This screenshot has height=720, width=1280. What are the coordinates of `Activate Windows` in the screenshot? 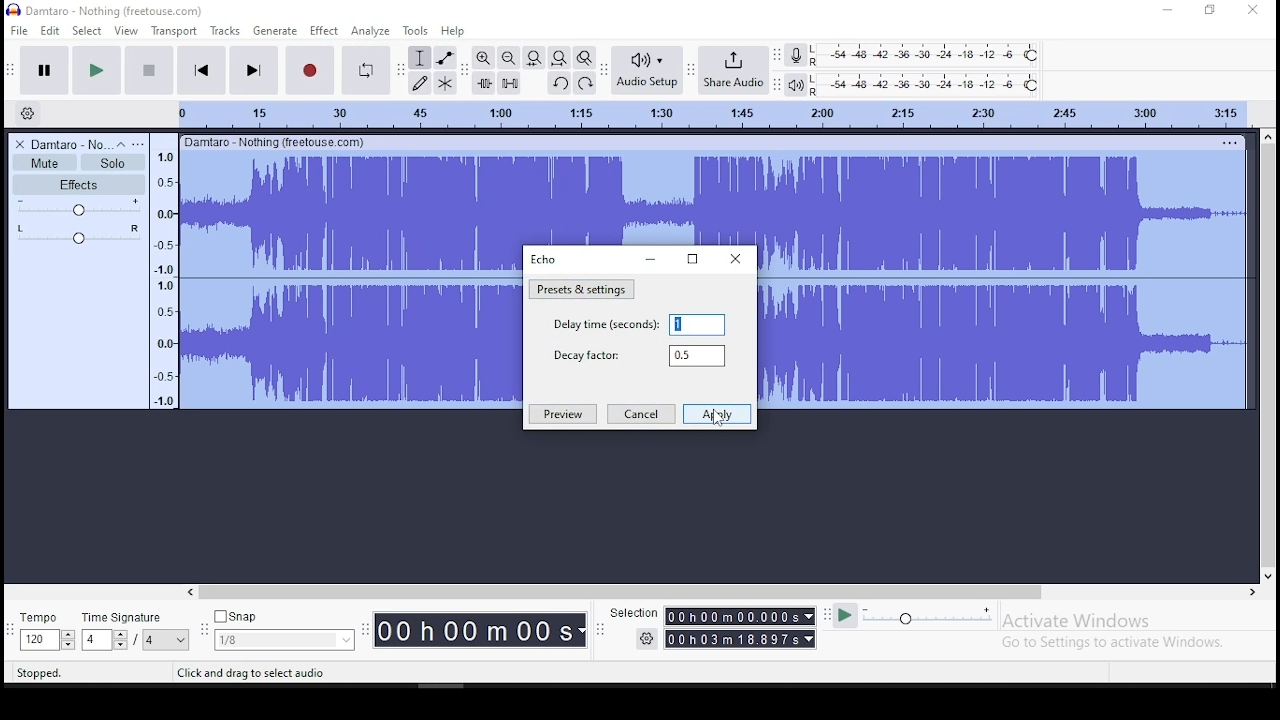 It's located at (1077, 621).